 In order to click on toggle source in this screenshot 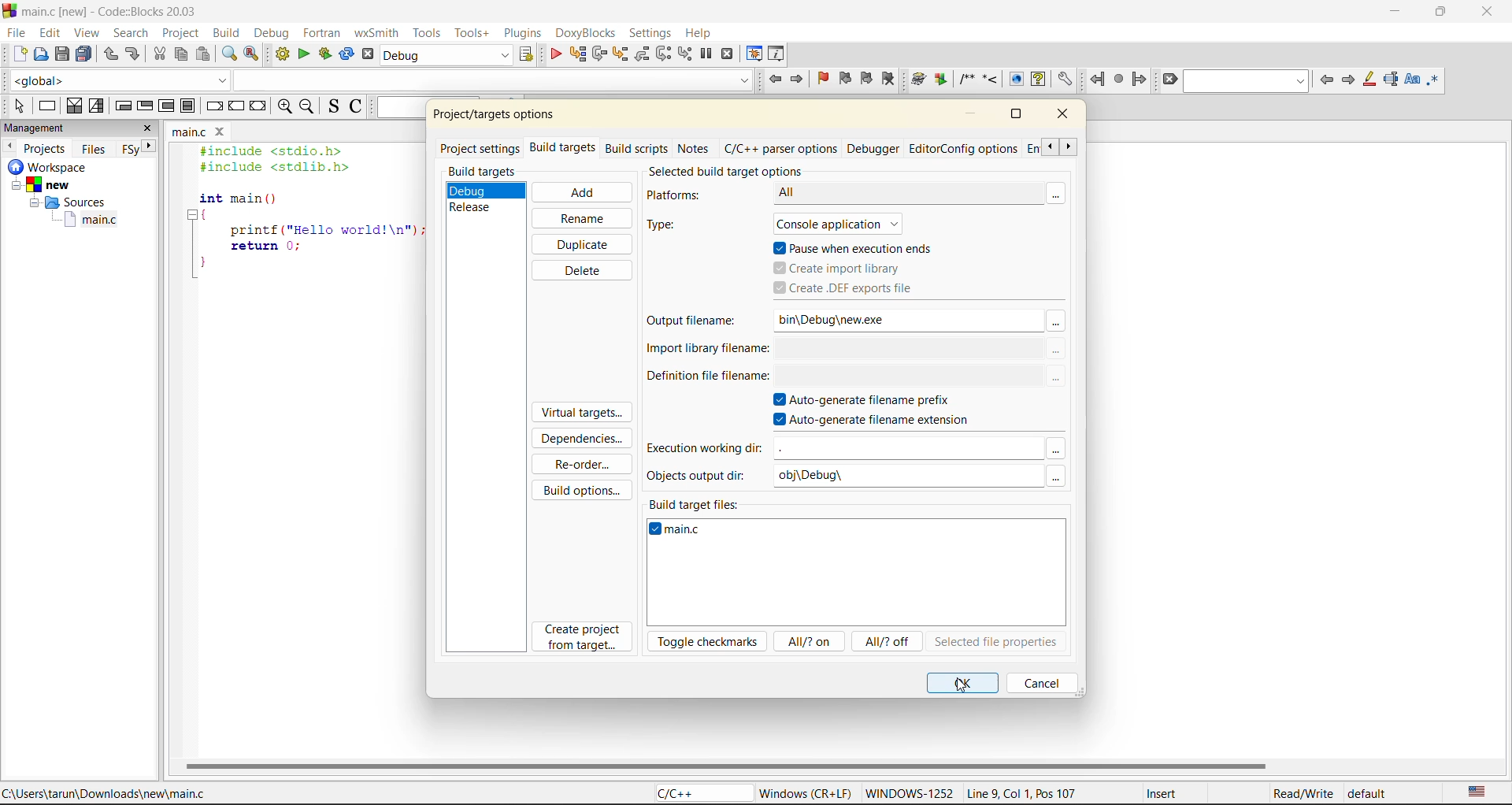, I will do `click(333, 106)`.